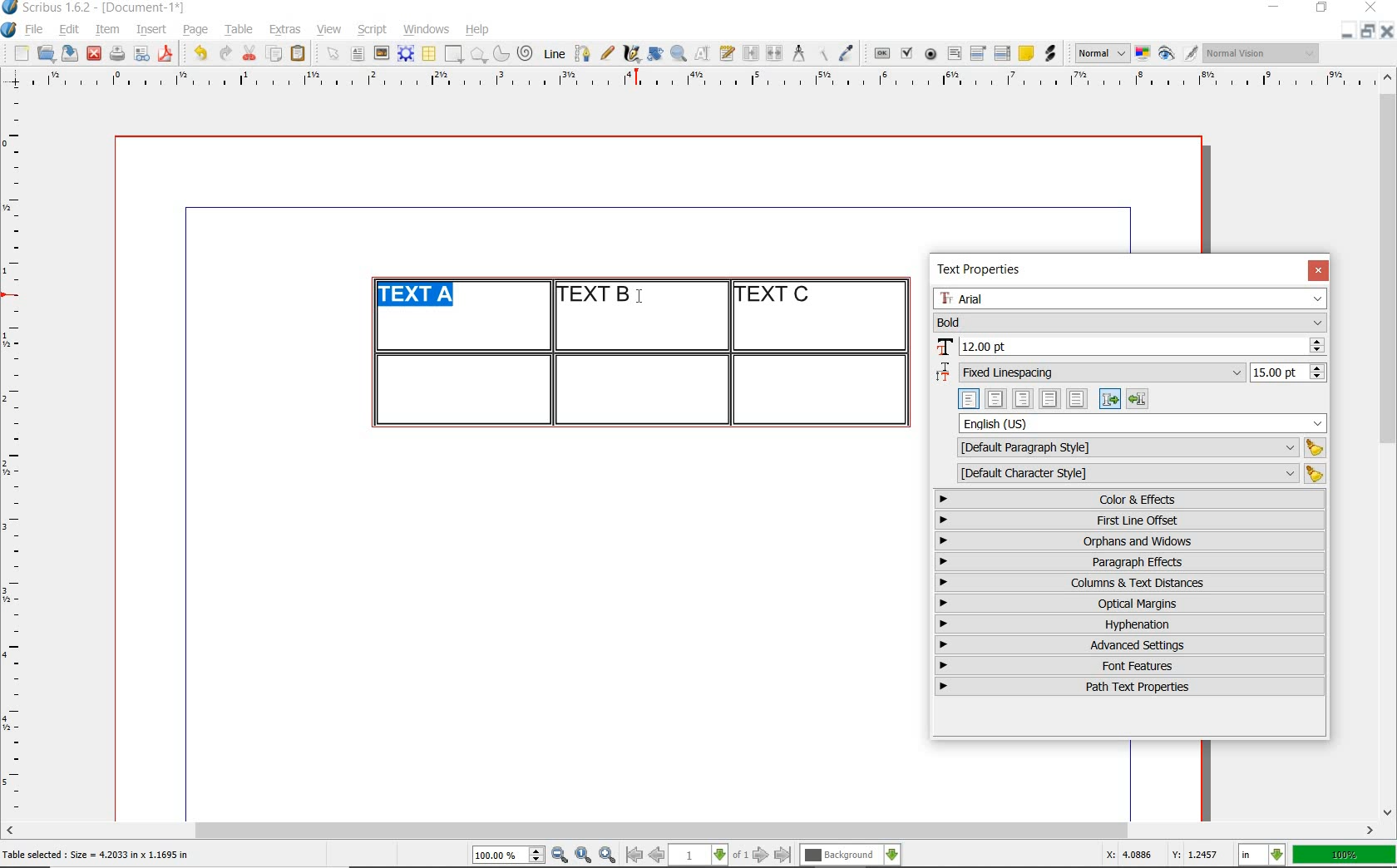 Image resolution: width=1397 pixels, height=868 pixels. What do you see at coordinates (1130, 665) in the screenshot?
I see `font features` at bounding box center [1130, 665].